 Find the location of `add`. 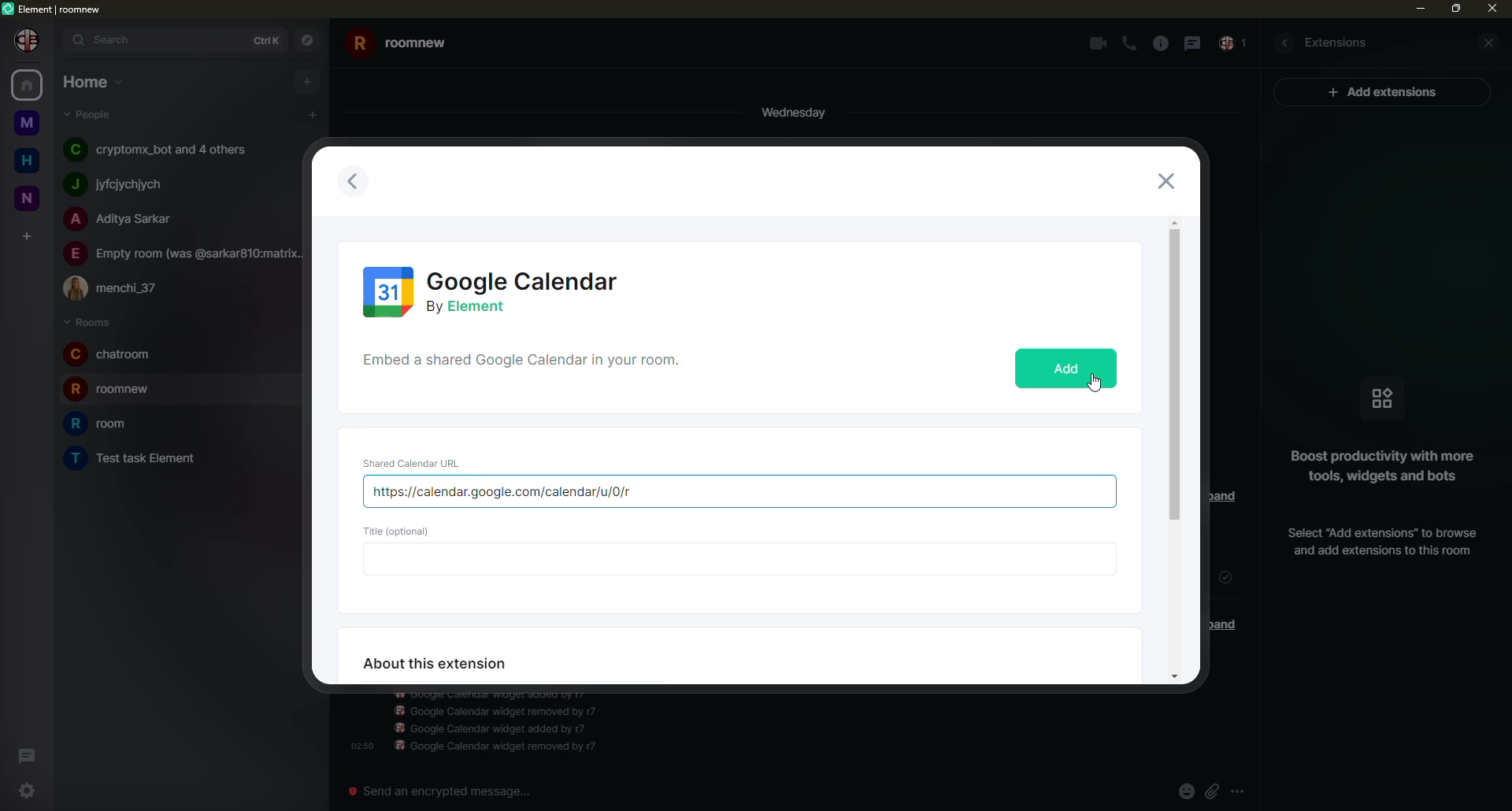

add is located at coordinates (308, 81).